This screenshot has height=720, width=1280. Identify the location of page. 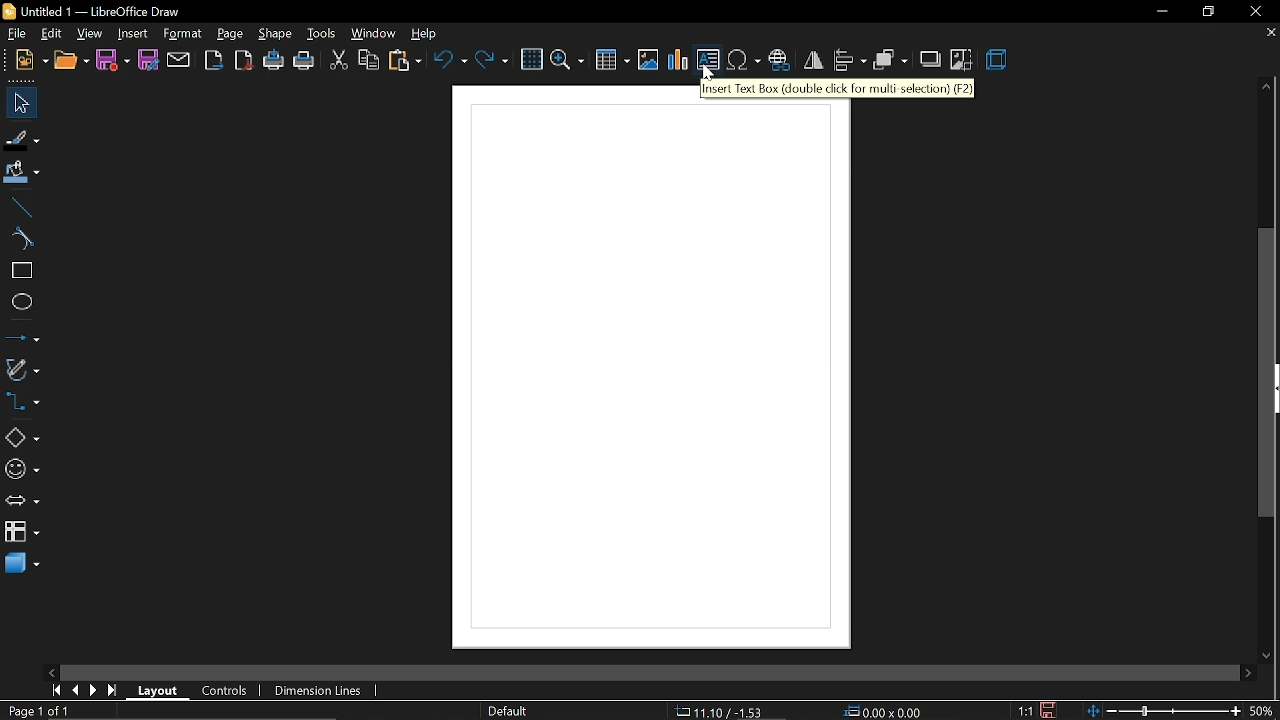
(230, 34).